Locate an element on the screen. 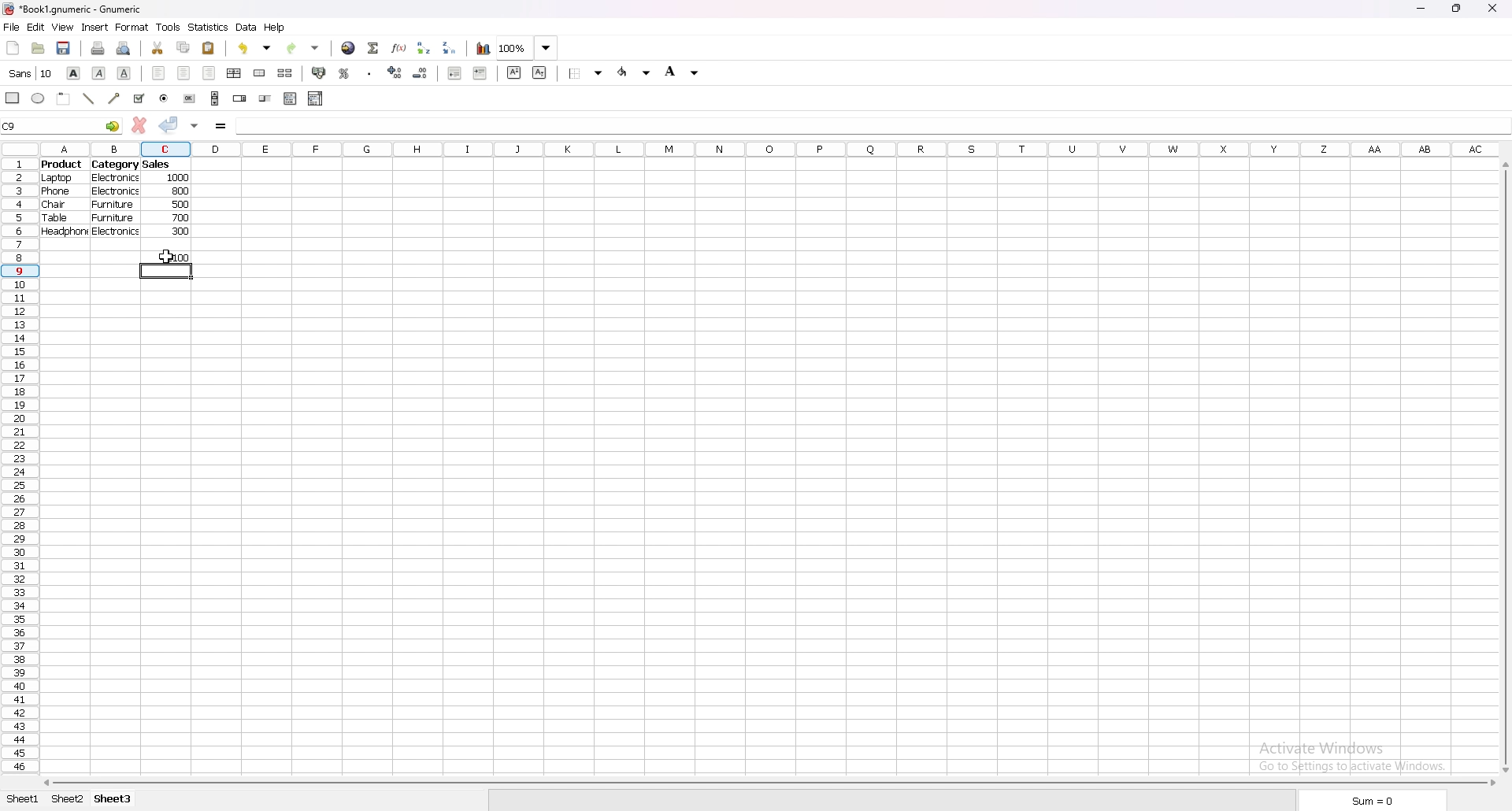 This screenshot has width=1512, height=811. selected cell is located at coordinates (63, 125).